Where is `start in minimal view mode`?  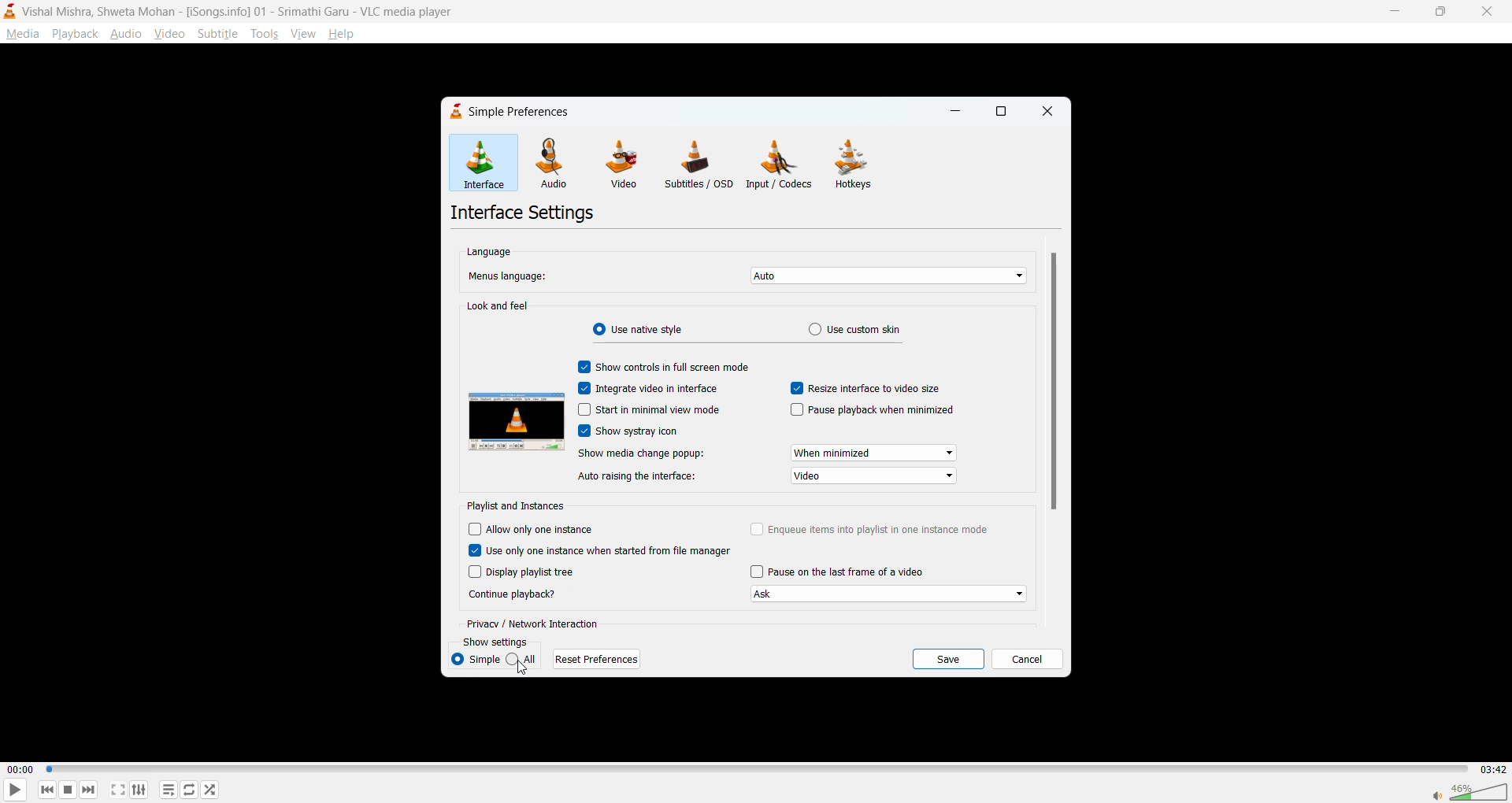 start in minimal view mode is located at coordinates (648, 411).